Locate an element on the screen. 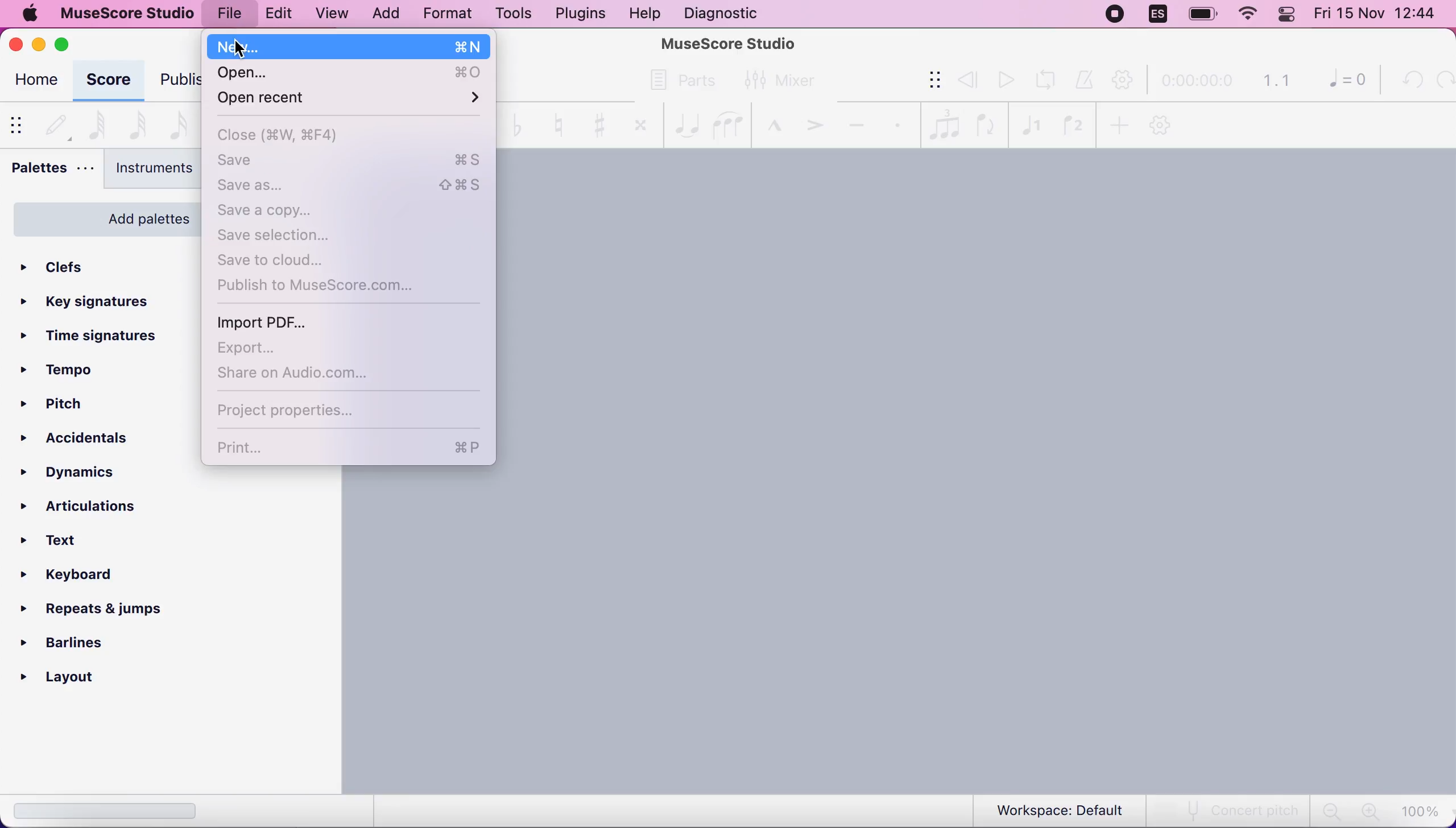  flip direction is located at coordinates (986, 123).